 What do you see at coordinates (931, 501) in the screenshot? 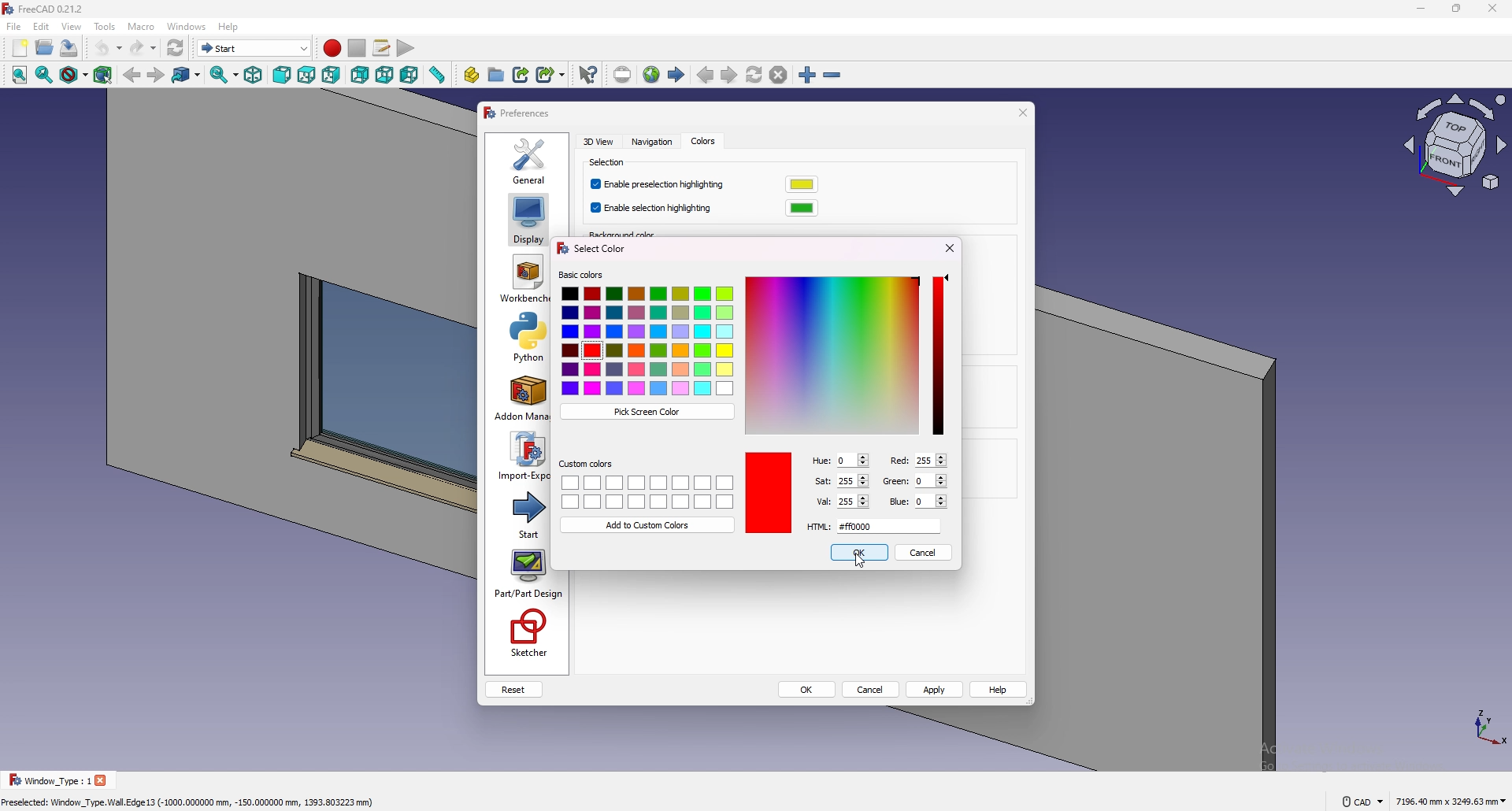
I see `0` at bounding box center [931, 501].